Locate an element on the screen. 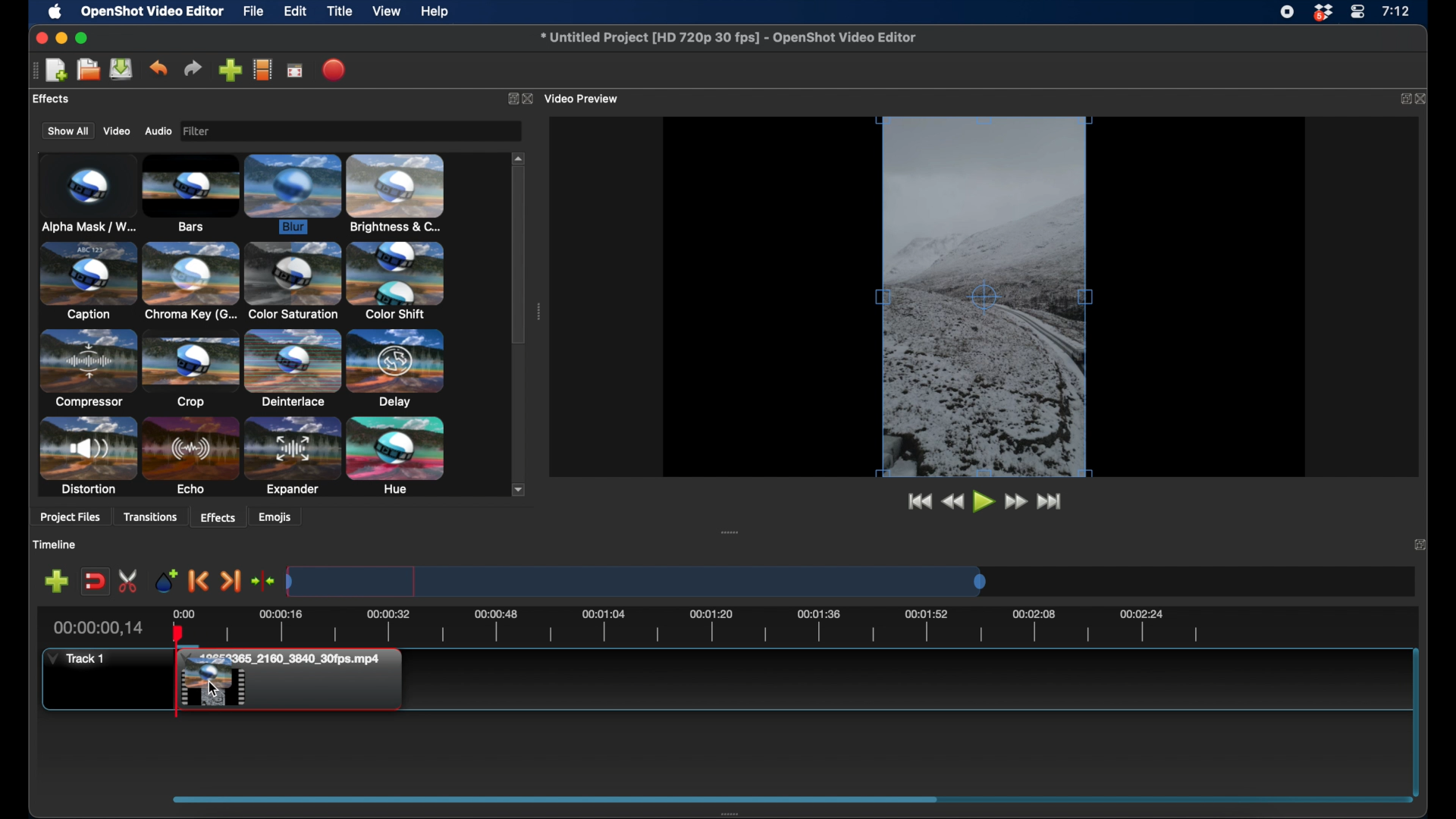 The height and width of the screenshot is (819, 1456). 0.00 is located at coordinates (183, 613).